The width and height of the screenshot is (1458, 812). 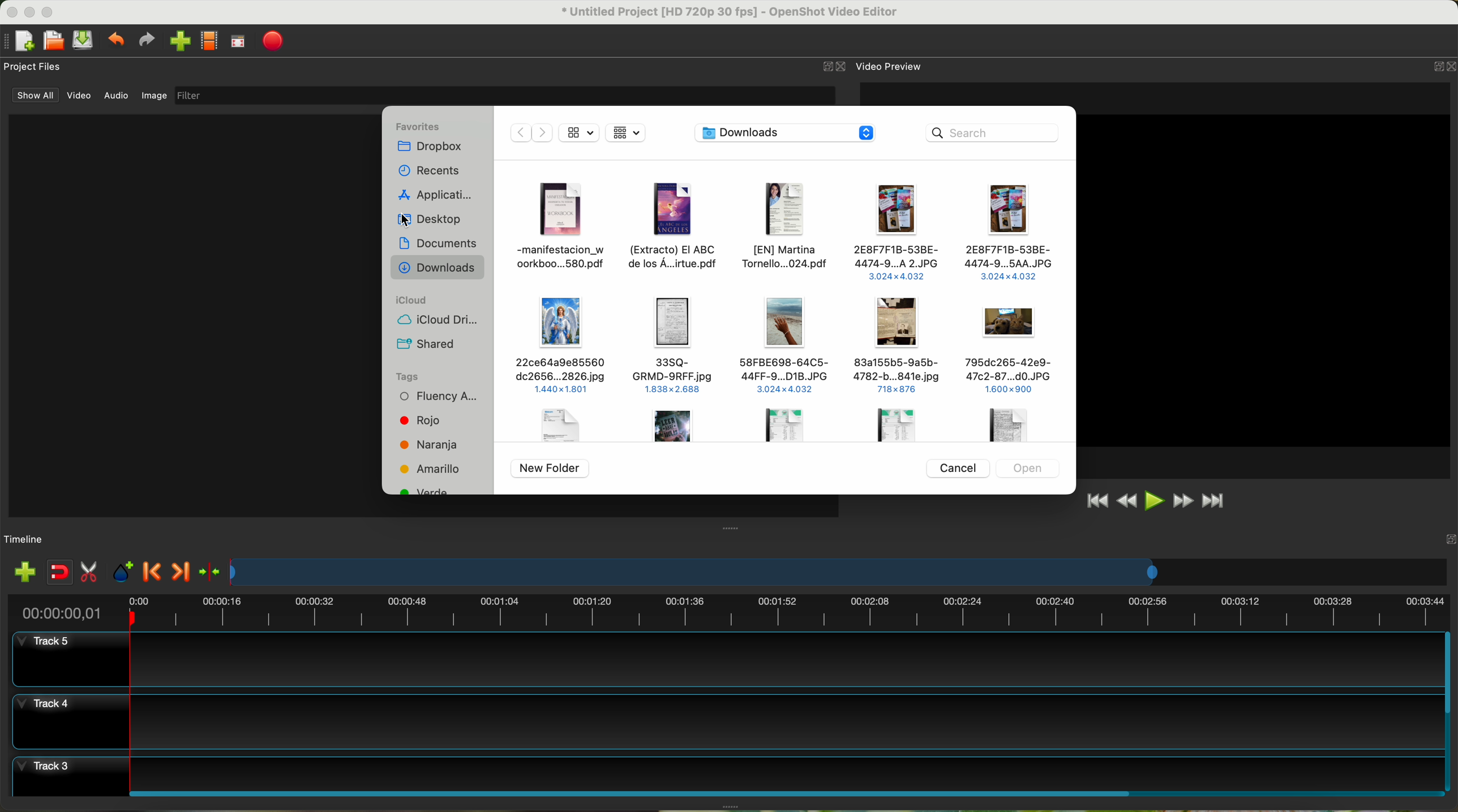 What do you see at coordinates (123, 572) in the screenshot?
I see `add mark` at bounding box center [123, 572].